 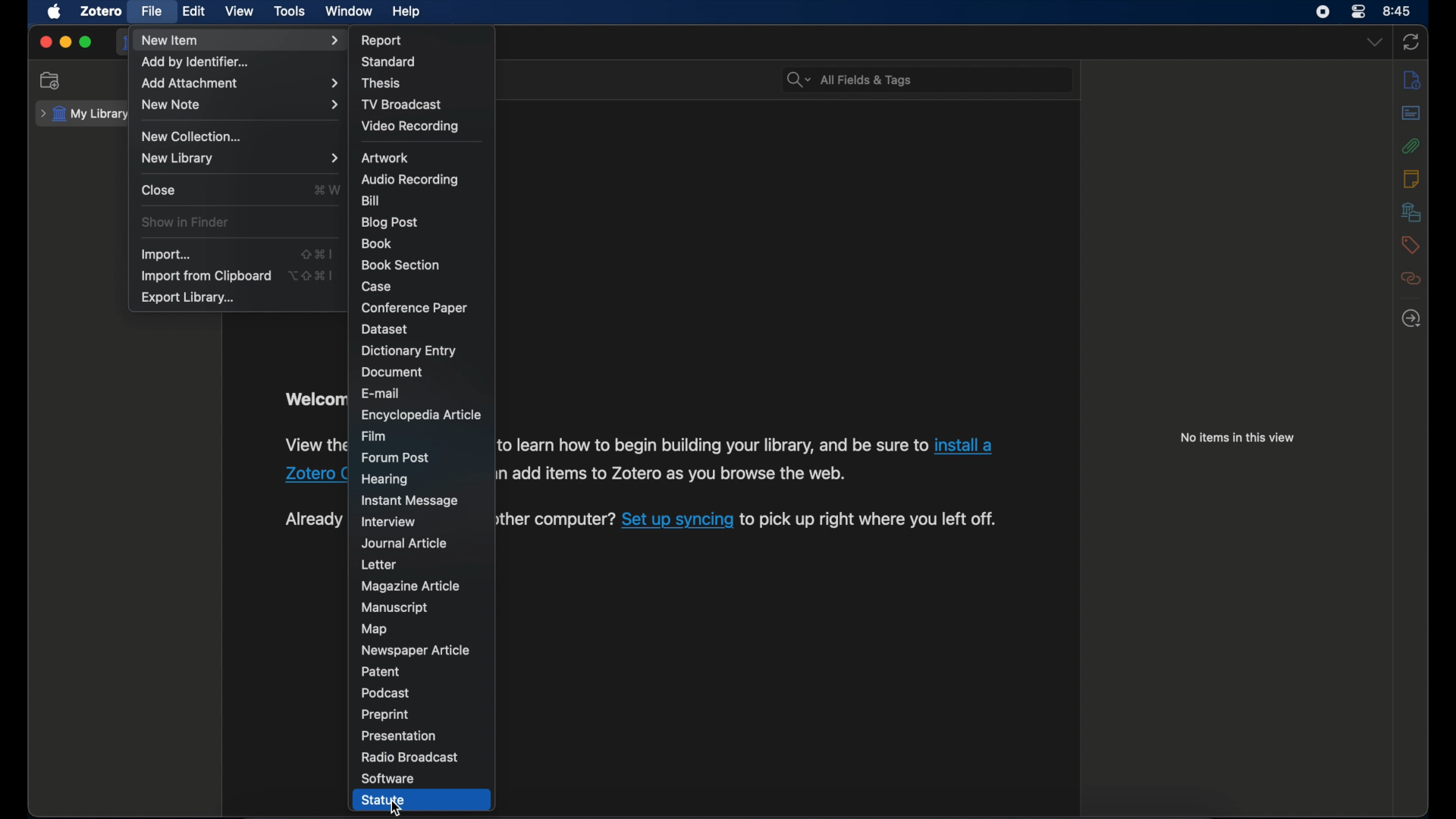 I want to click on thesis, so click(x=384, y=83).